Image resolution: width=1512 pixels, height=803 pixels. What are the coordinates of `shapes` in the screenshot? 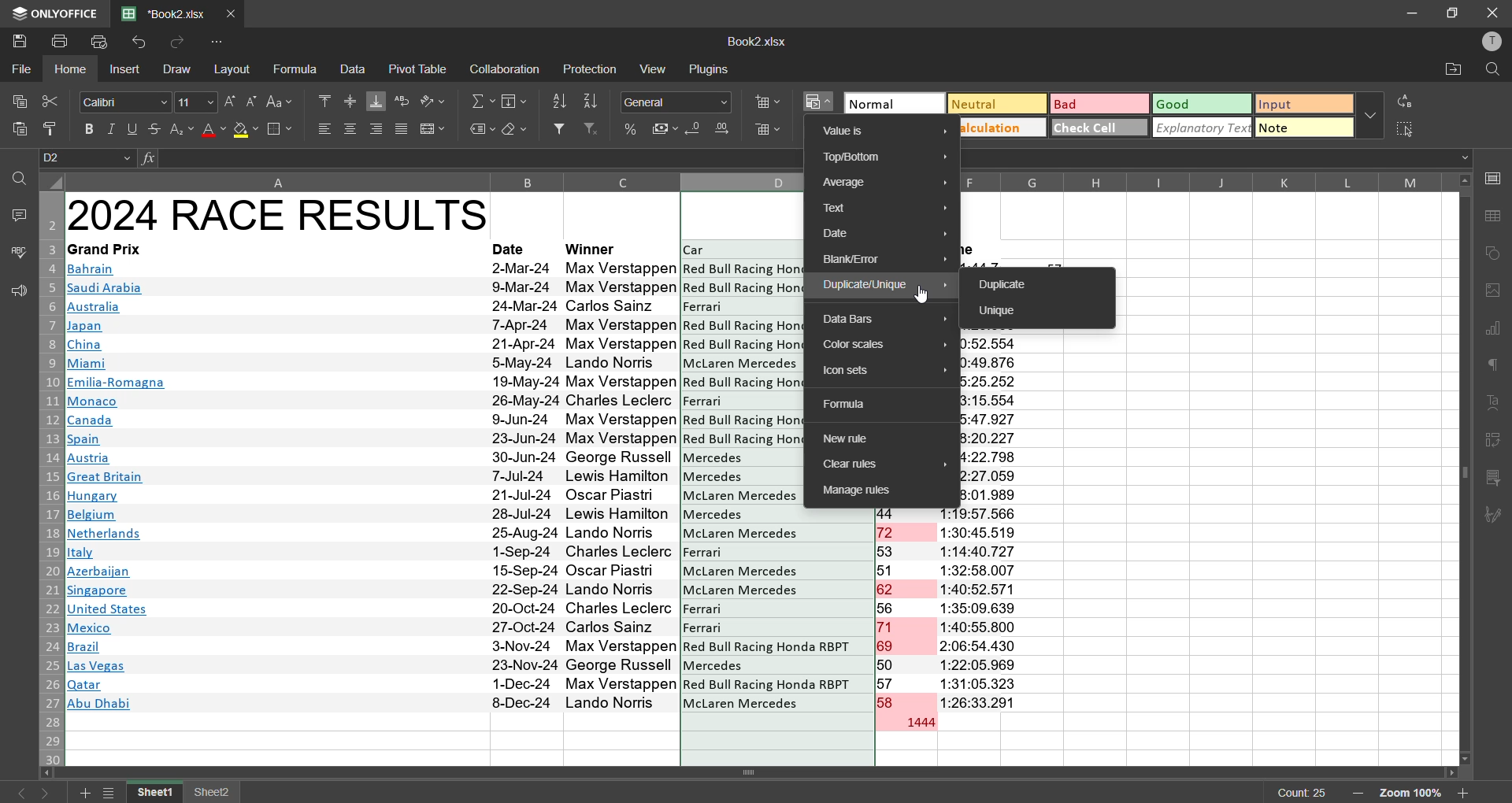 It's located at (1495, 253).